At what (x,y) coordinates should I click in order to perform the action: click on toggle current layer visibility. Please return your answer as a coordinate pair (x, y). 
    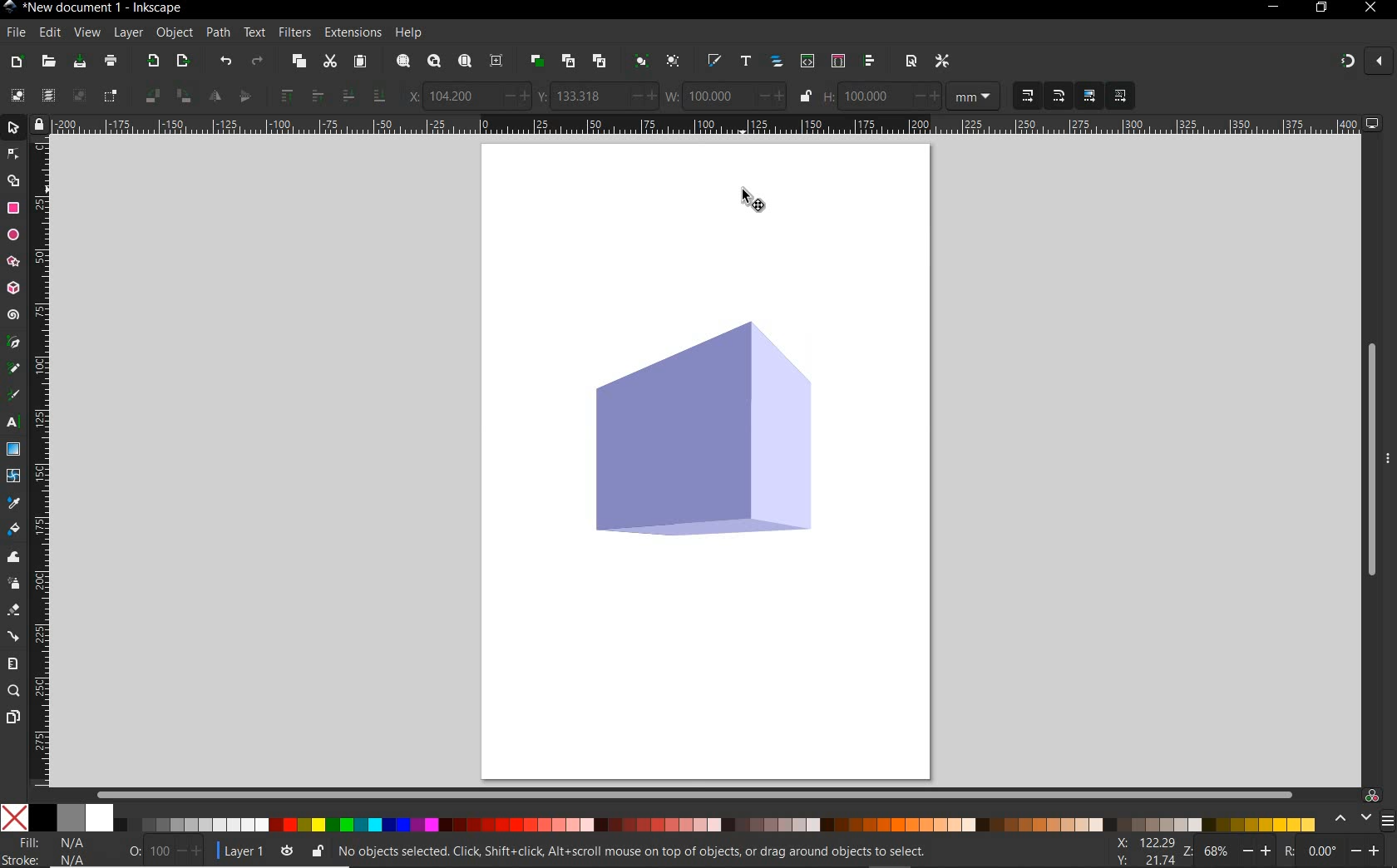
    Looking at the image, I should click on (284, 851).